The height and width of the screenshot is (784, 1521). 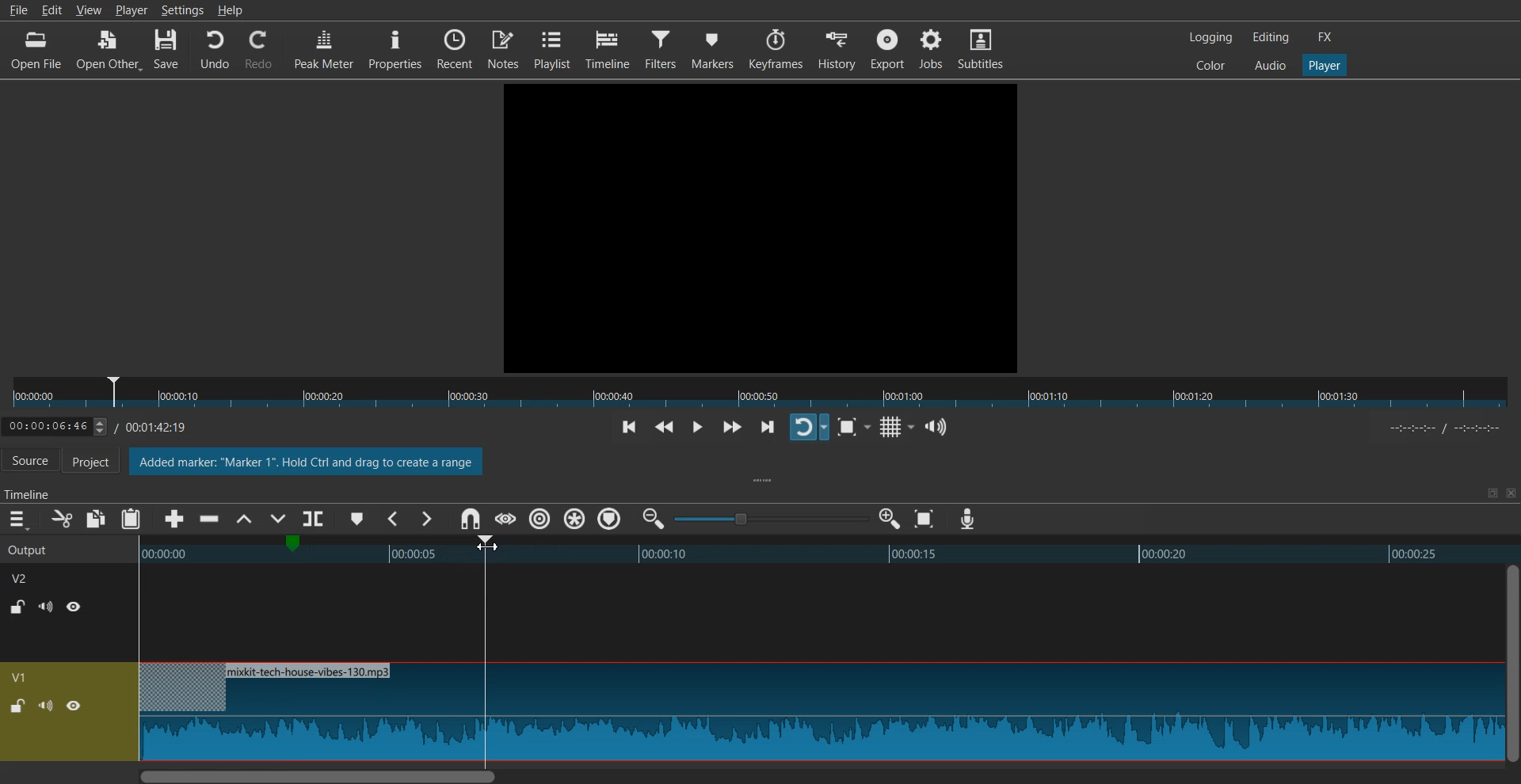 What do you see at coordinates (97, 519) in the screenshot?
I see `Copy` at bounding box center [97, 519].